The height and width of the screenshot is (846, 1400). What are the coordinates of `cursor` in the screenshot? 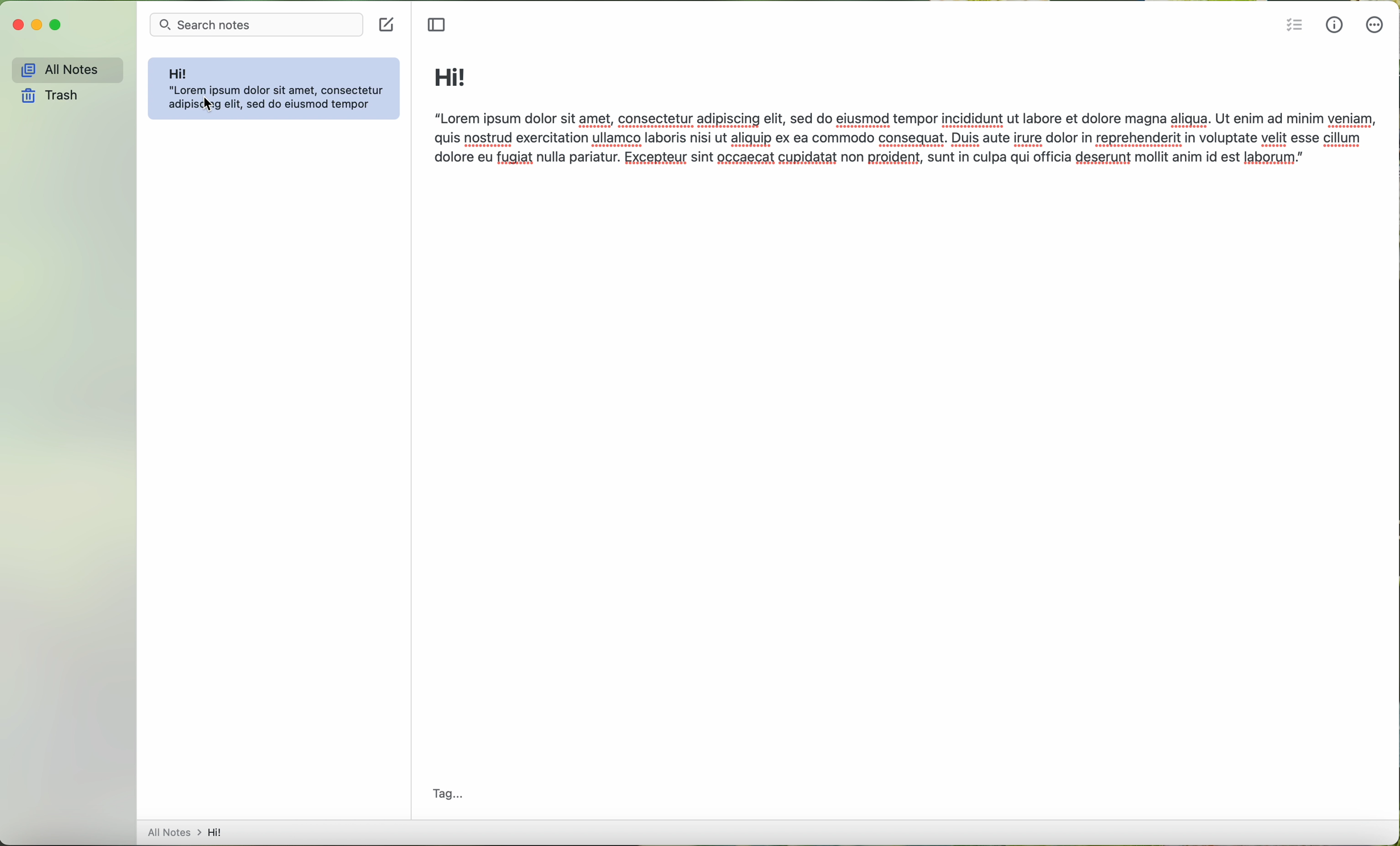 It's located at (207, 105).